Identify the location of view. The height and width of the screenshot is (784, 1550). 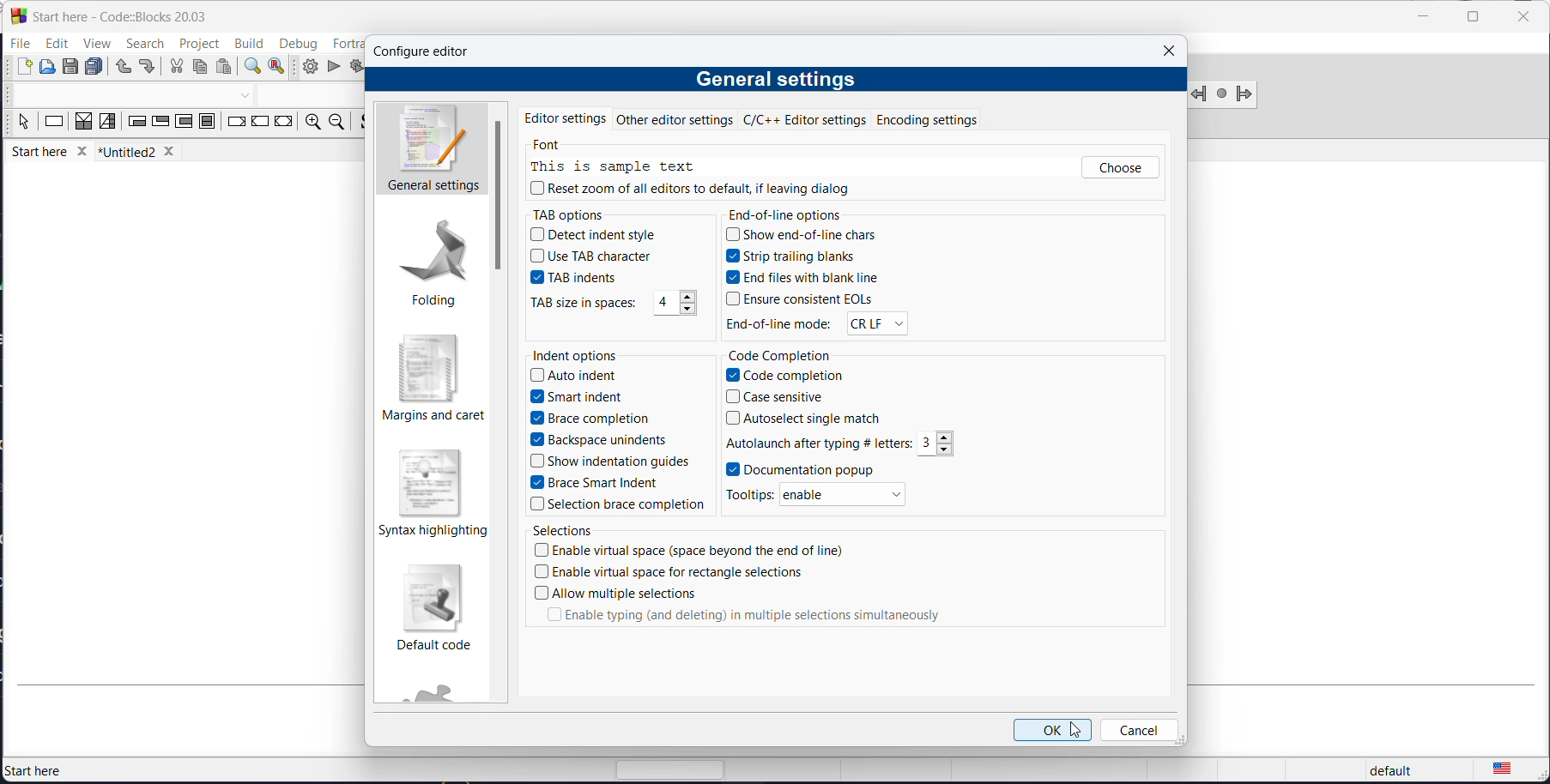
(94, 45).